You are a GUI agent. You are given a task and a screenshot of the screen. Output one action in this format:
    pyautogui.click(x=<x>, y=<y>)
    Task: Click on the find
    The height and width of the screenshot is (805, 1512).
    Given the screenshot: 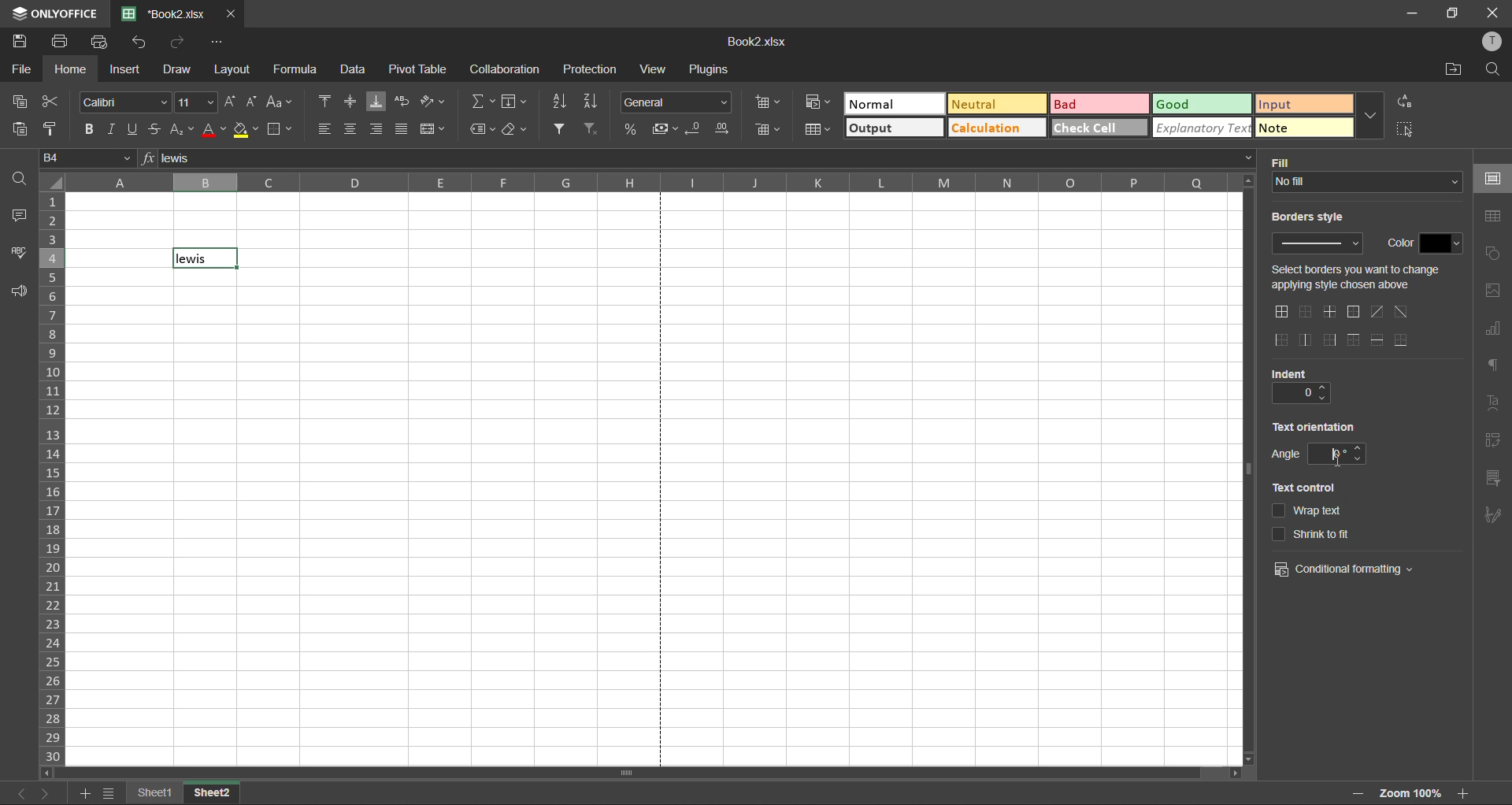 What is the action you would take?
    pyautogui.click(x=1492, y=72)
    